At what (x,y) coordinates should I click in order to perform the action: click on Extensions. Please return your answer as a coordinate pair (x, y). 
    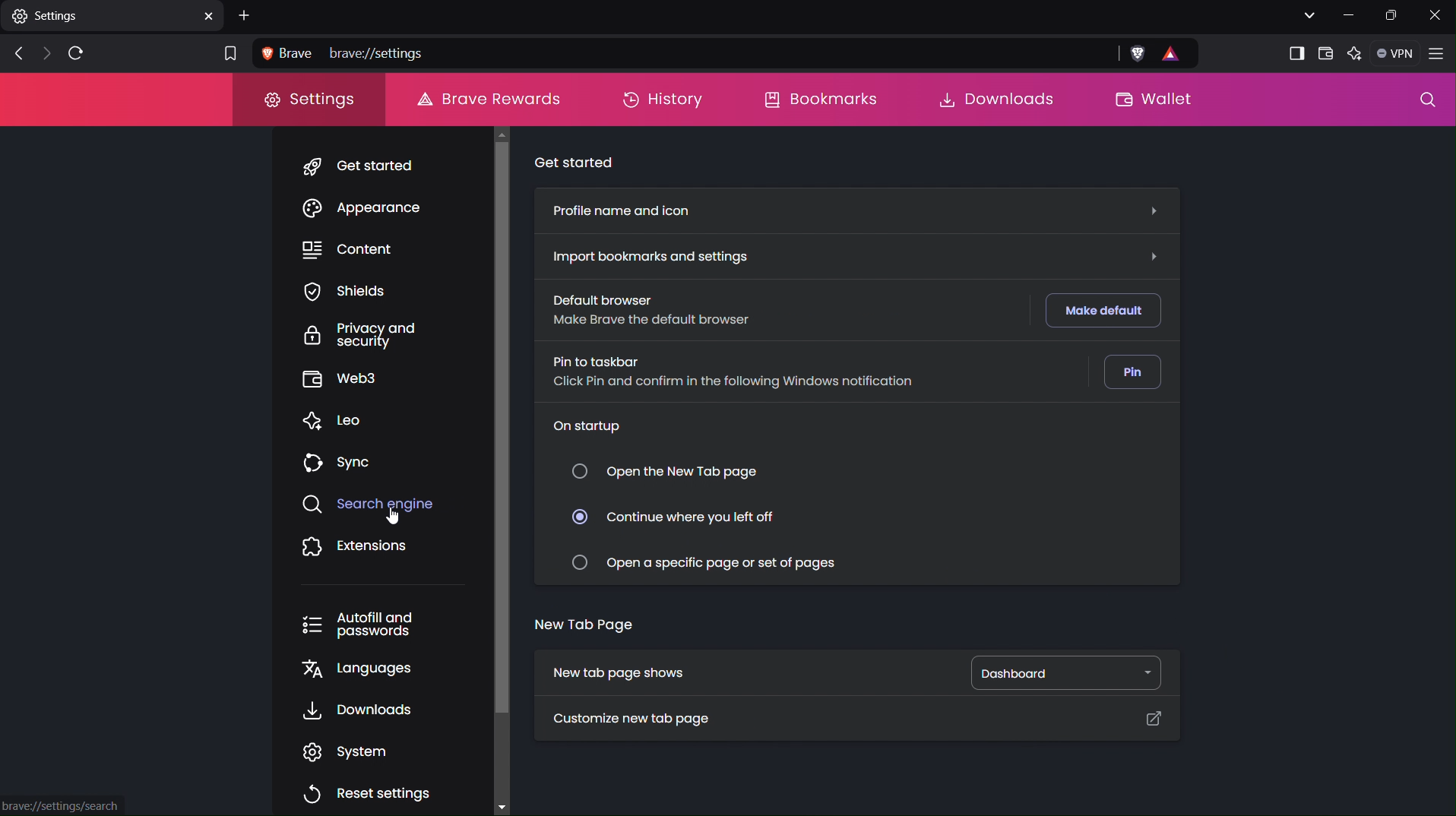
    Looking at the image, I should click on (356, 548).